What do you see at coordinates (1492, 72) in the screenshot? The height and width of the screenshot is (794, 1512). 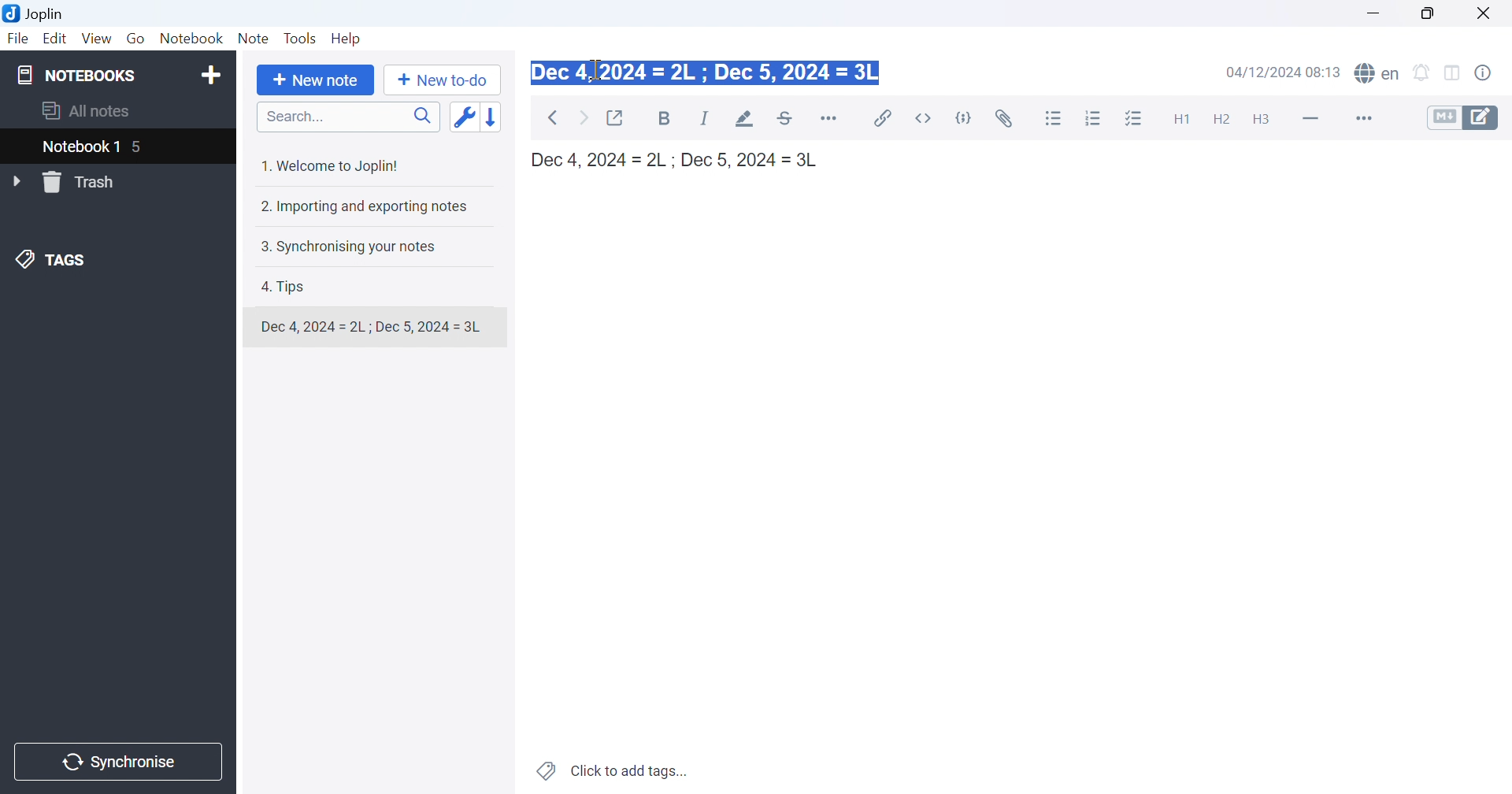 I see `Note properties` at bounding box center [1492, 72].